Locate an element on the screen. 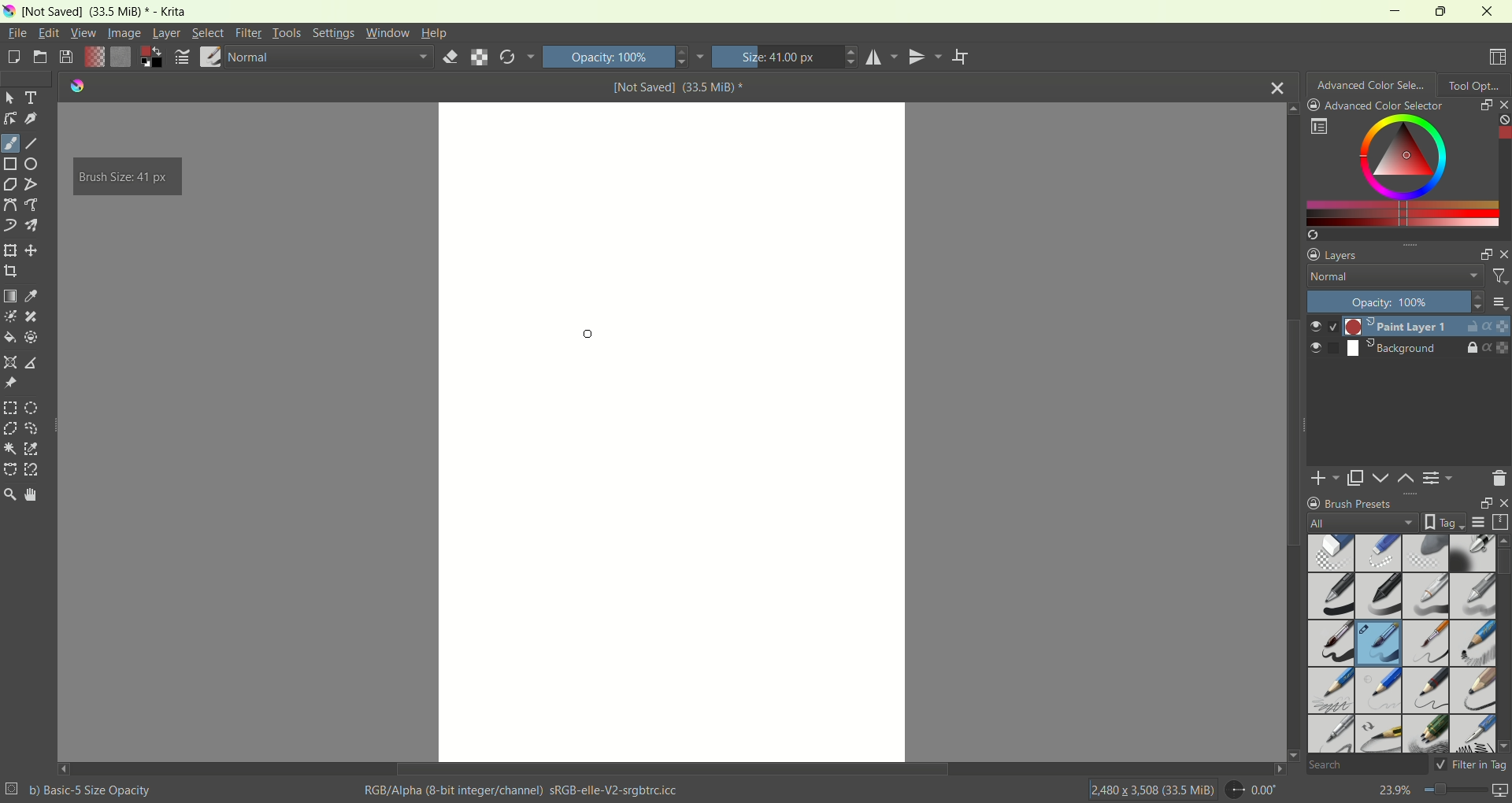 Image resolution: width=1512 pixels, height=803 pixels. line is located at coordinates (32, 144).